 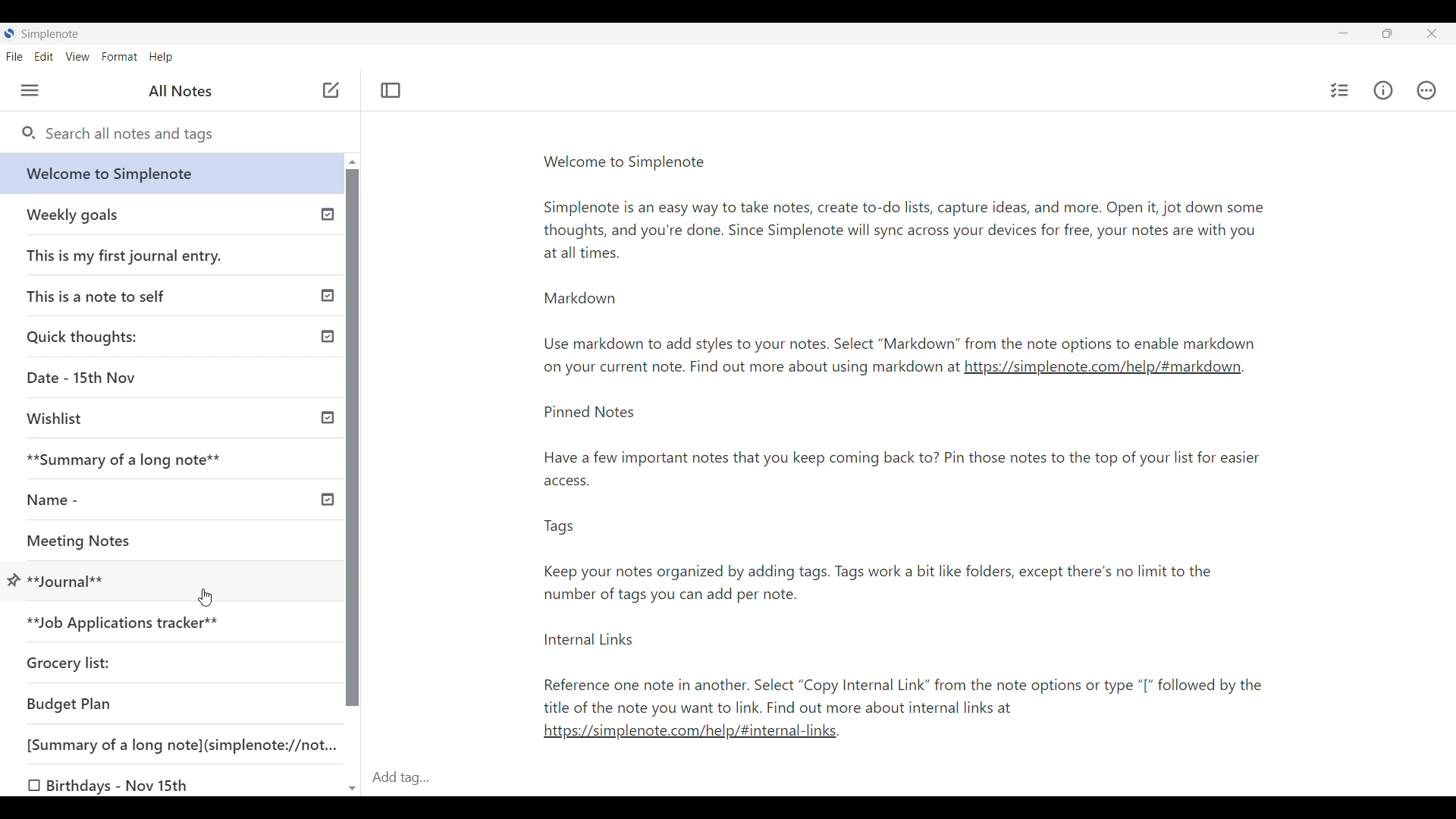 What do you see at coordinates (126, 255) in the screenshot?
I see `This is my first journal entry.` at bounding box center [126, 255].